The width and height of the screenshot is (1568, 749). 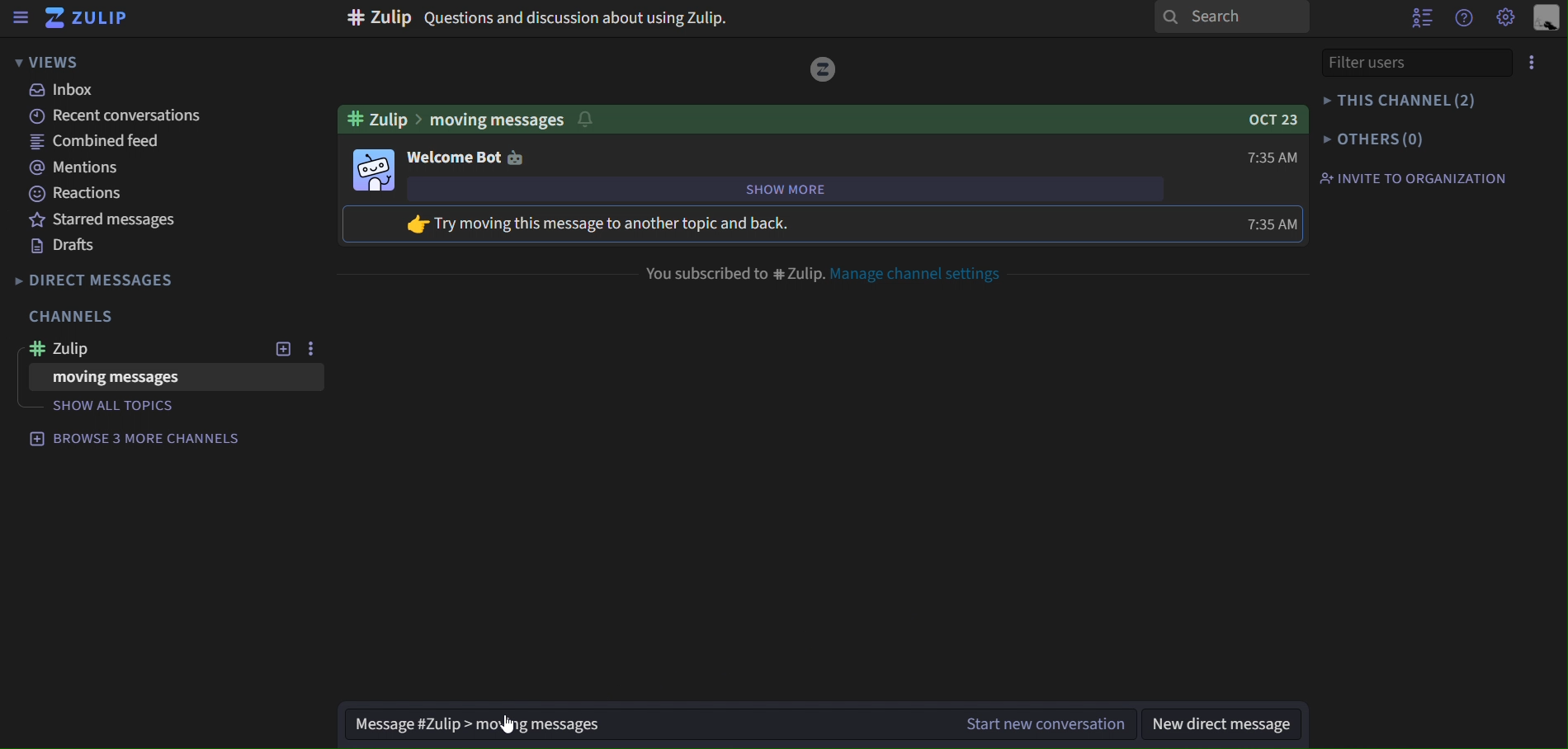 What do you see at coordinates (78, 195) in the screenshot?
I see `reactions` at bounding box center [78, 195].